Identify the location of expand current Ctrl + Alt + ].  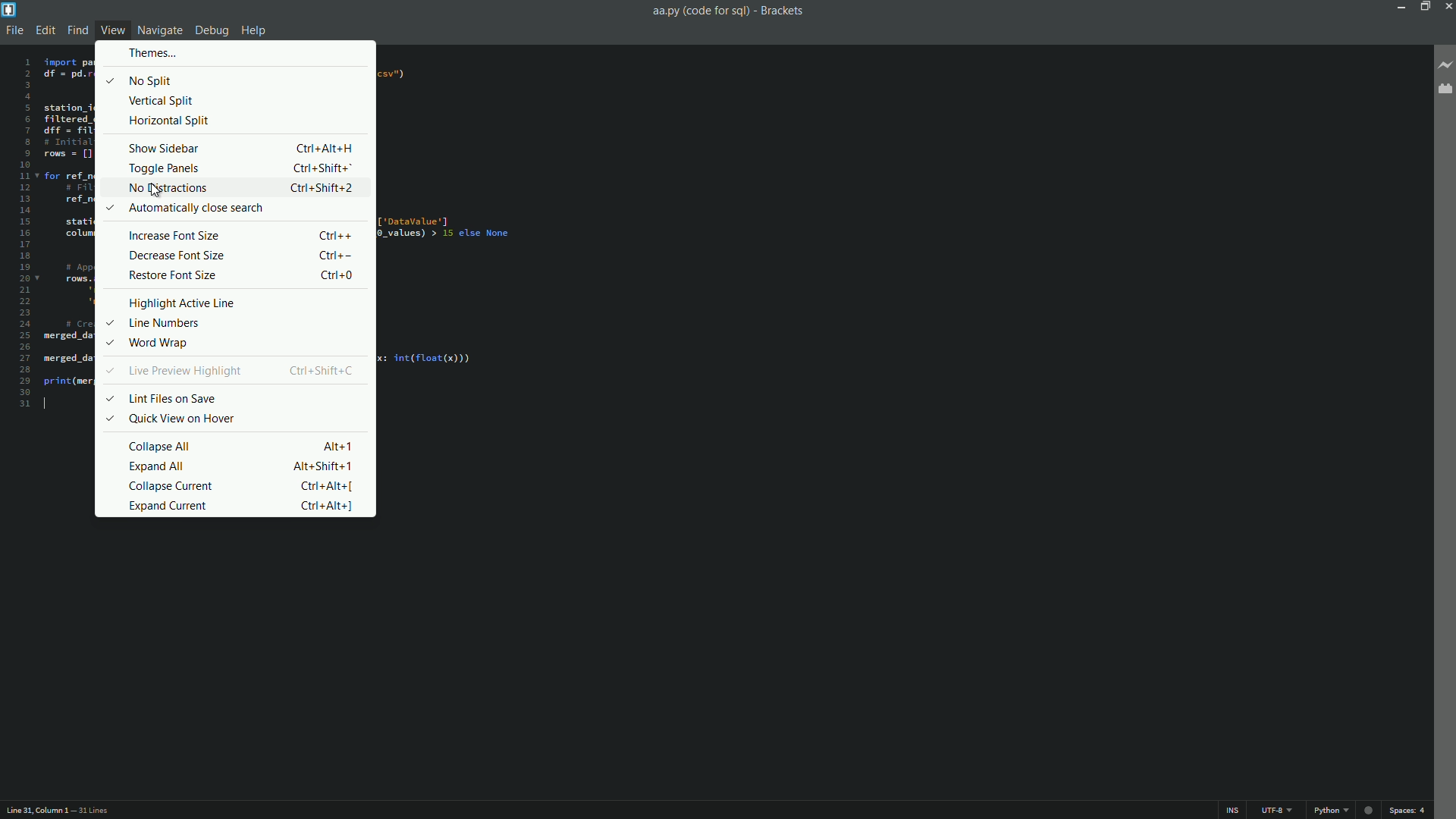
(242, 505).